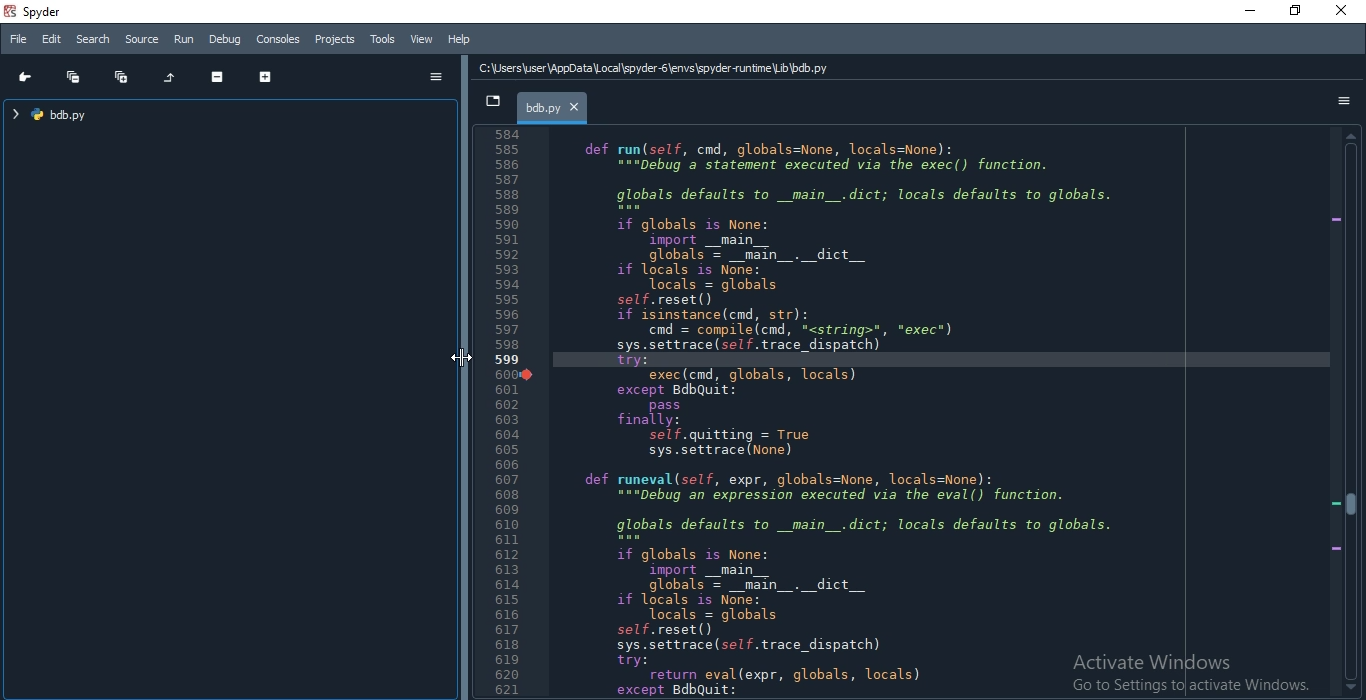 This screenshot has width=1366, height=700. I want to click on adjust pane, so click(464, 375).